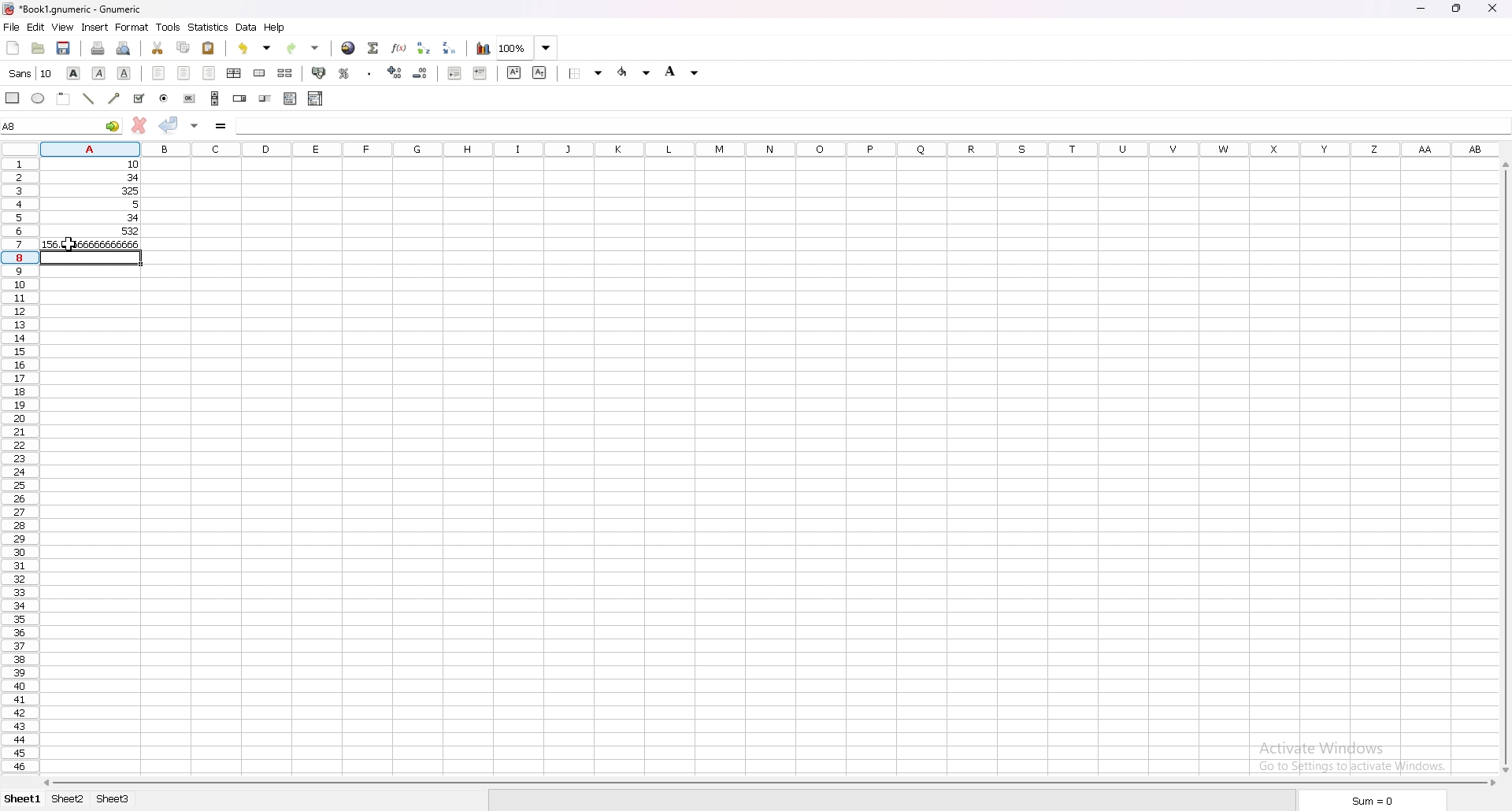 Image resolution: width=1512 pixels, height=811 pixels. What do you see at coordinates (449, 47) in the screenshot?
I see `sort descending` at bounding box center [449, 47].